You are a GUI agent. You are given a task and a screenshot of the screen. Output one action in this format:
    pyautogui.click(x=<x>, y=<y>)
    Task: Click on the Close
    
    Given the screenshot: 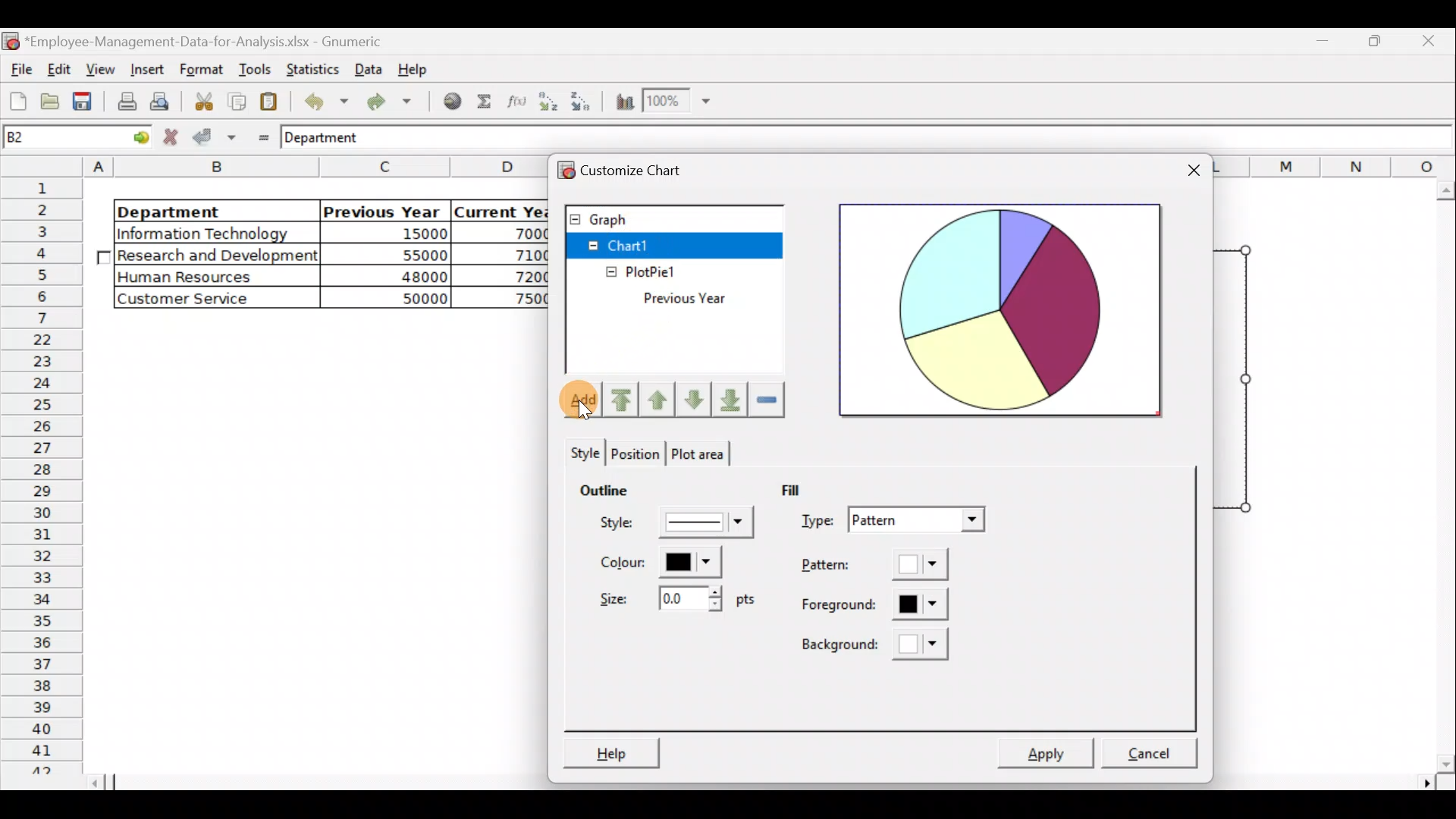 What is the action you would take?
    pyautogui.click(x=1429, y=43)
    